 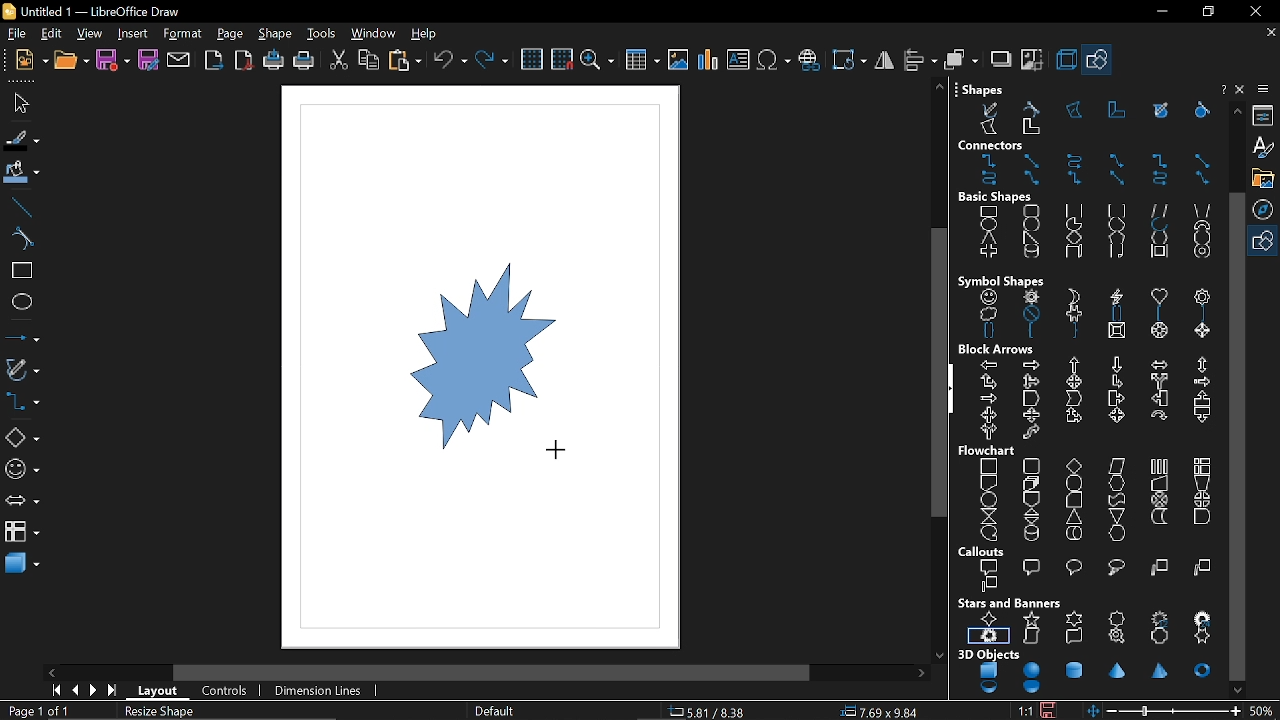 I want to click on attach, so click(x=180, y=61).